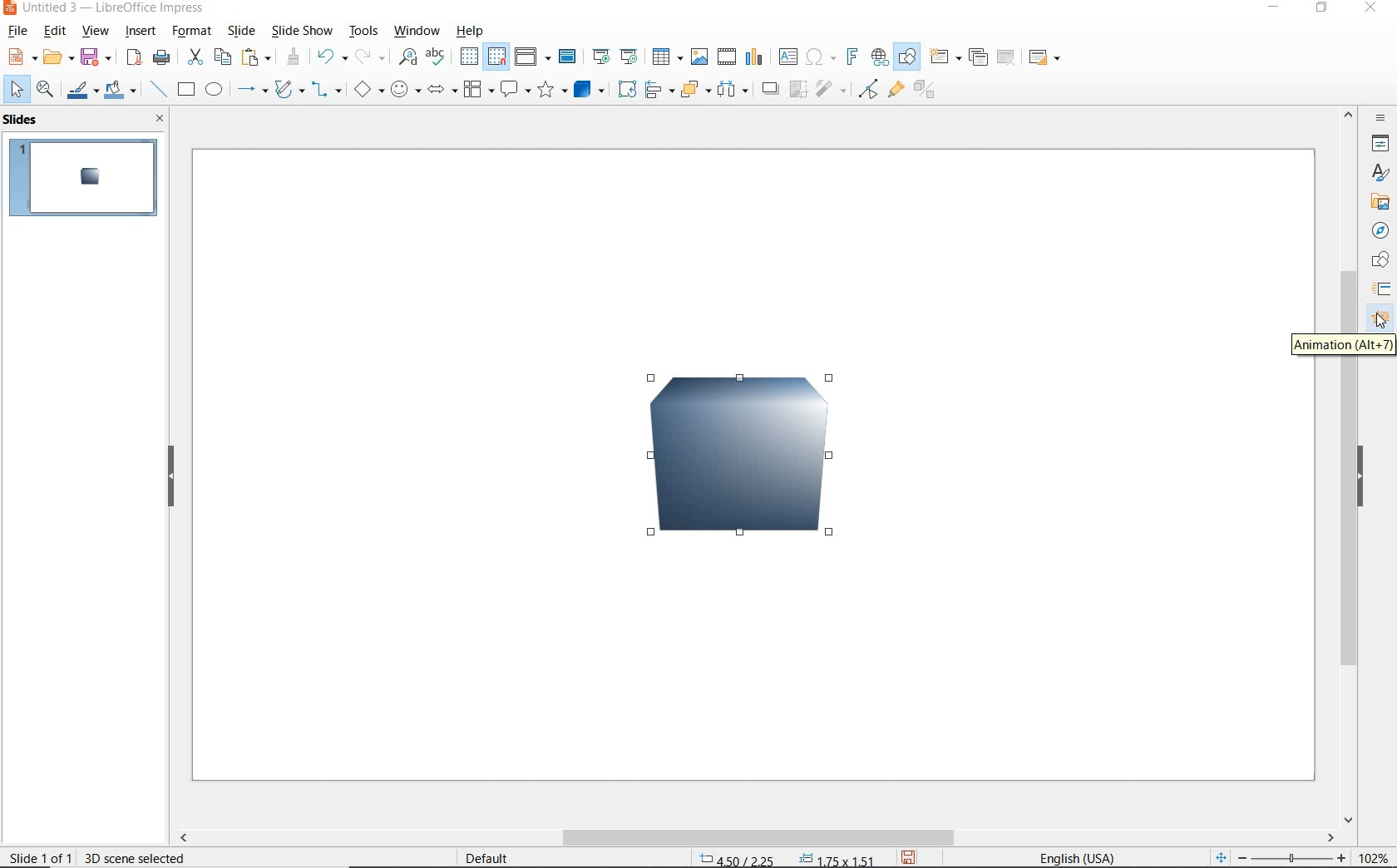  What do you see at coordinates (196, 57) in the screenshot?
I see `cut` at bounding box center [196, 57].